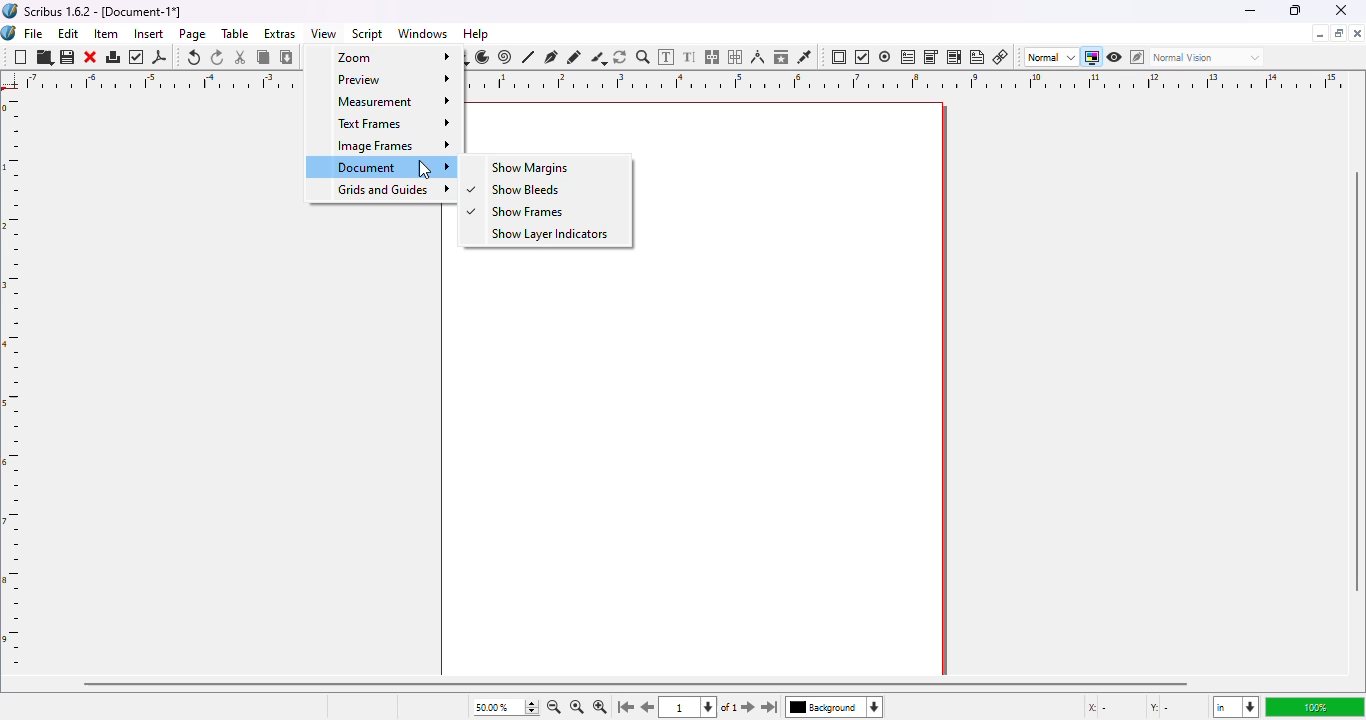 This screenshot has width=1366, height=720. What do you see at coordinates (34, 33) in the screenshot?
I see `file` at bounding box center [34, 33].